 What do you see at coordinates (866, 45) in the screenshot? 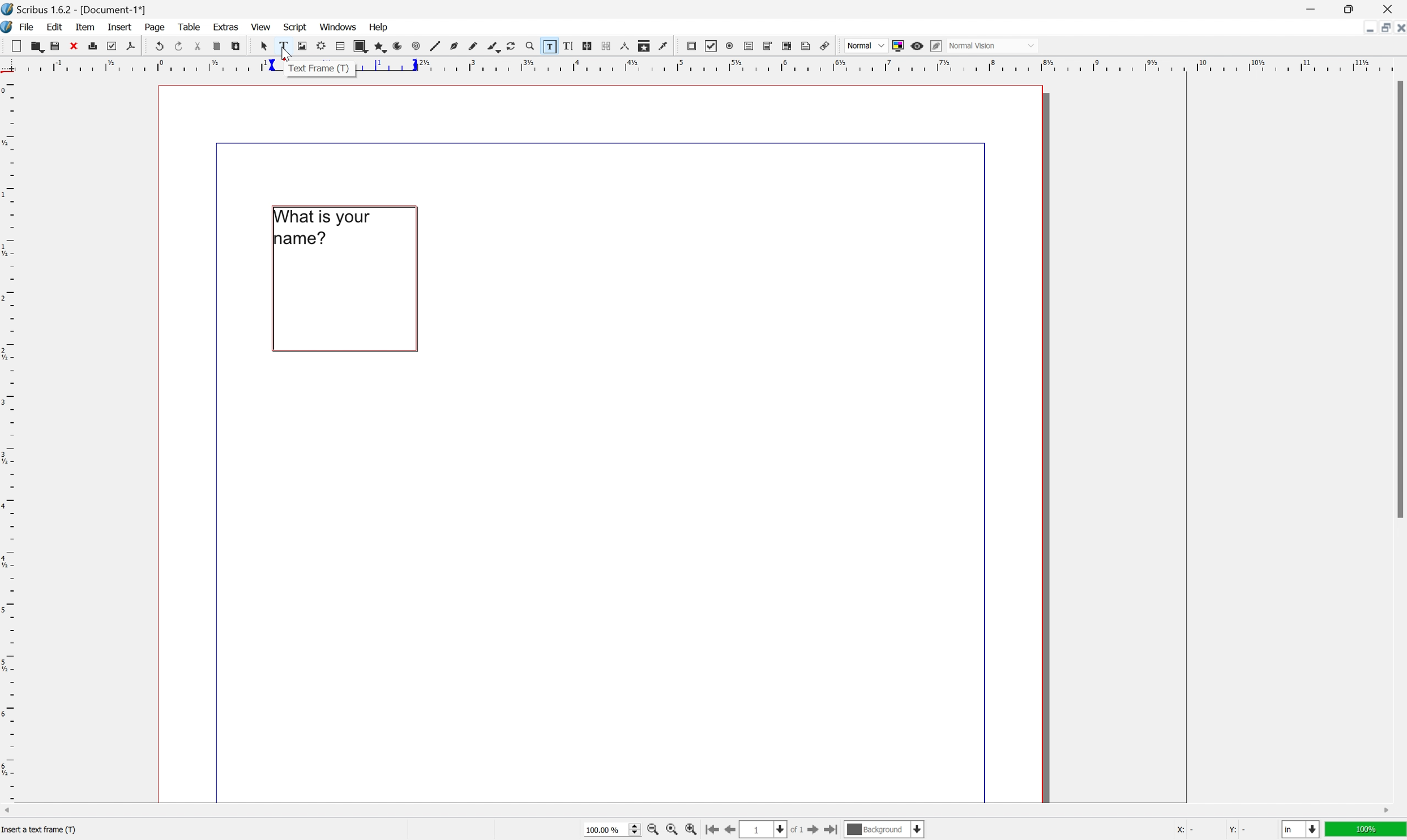
I see `normal` at bounding box center [866, 45].